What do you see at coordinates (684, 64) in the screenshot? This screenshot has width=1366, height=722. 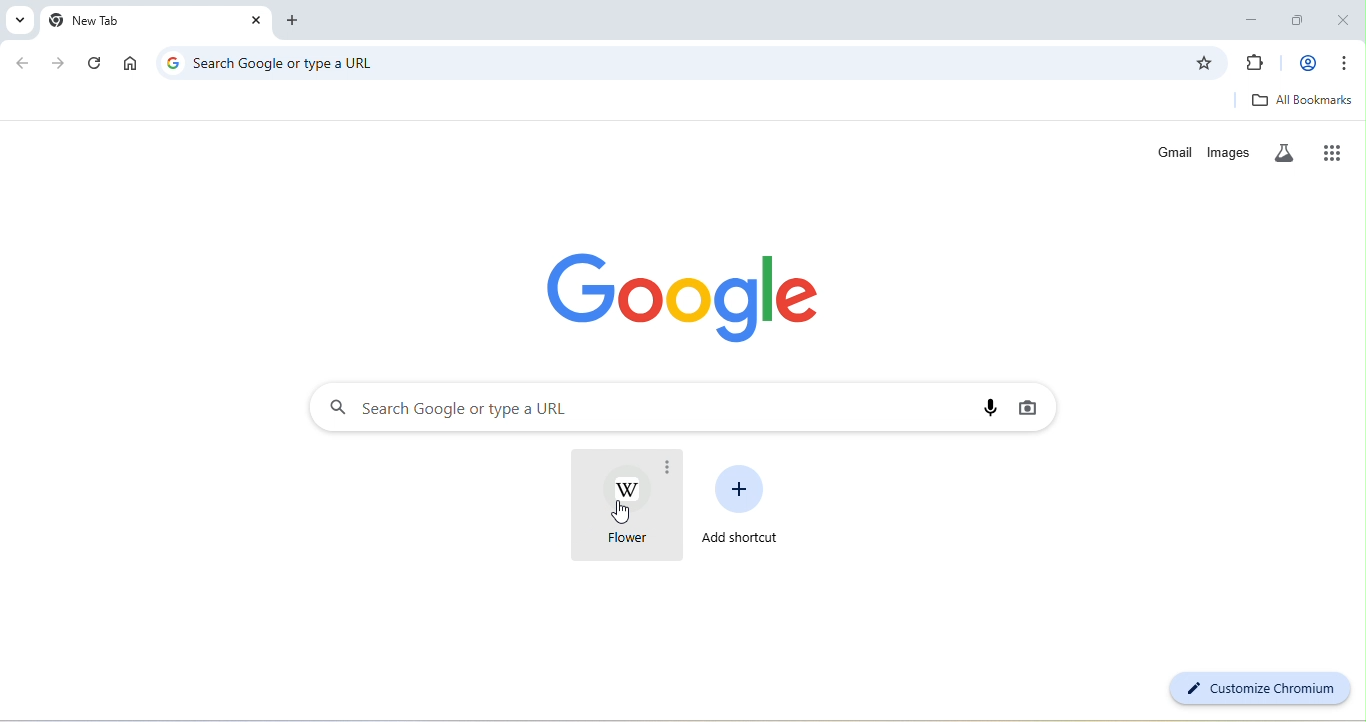 I see `search google or type a URL` at bounding box center [684, 64].